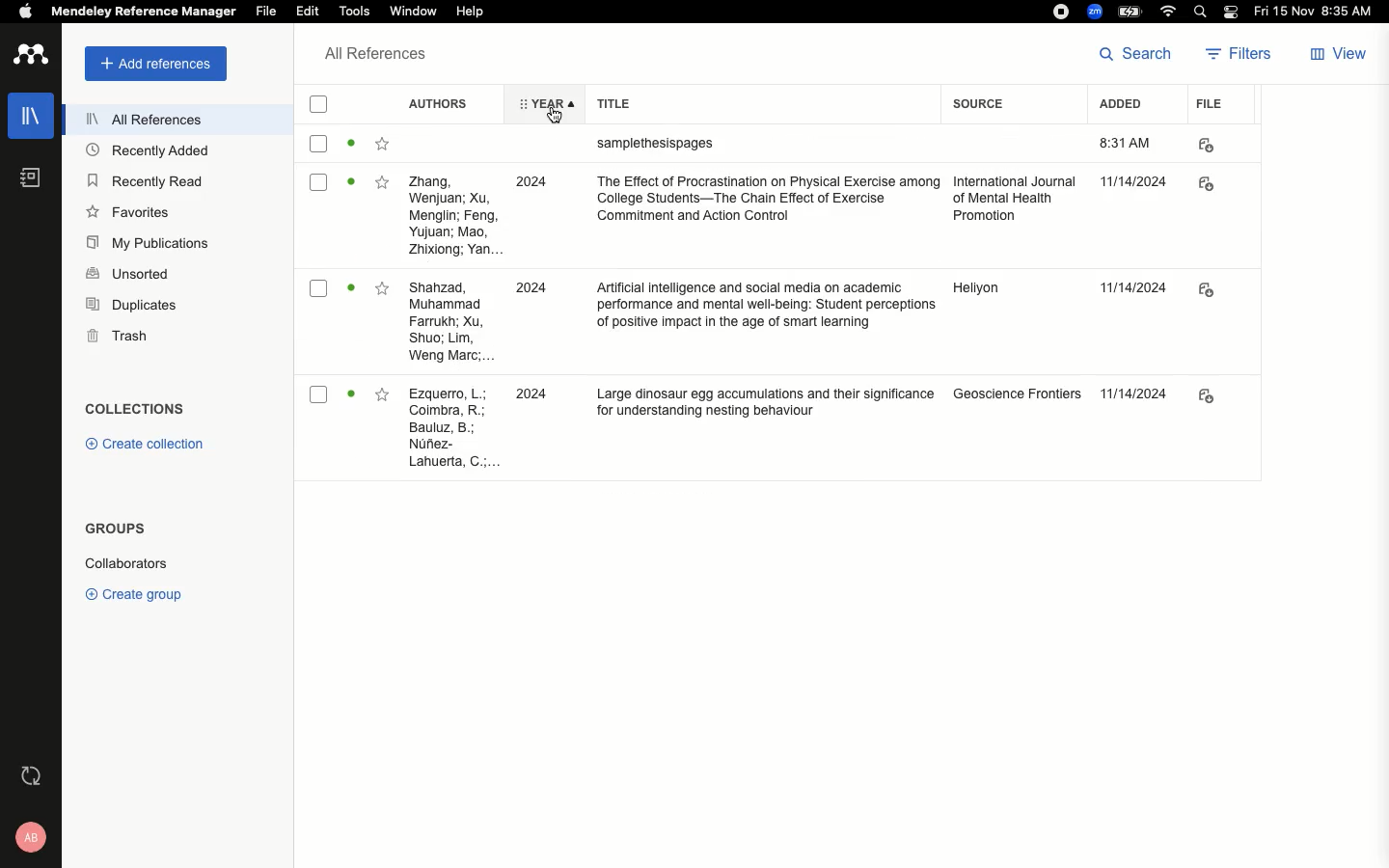  I want to click on mark as favorite, so click(383, 185).